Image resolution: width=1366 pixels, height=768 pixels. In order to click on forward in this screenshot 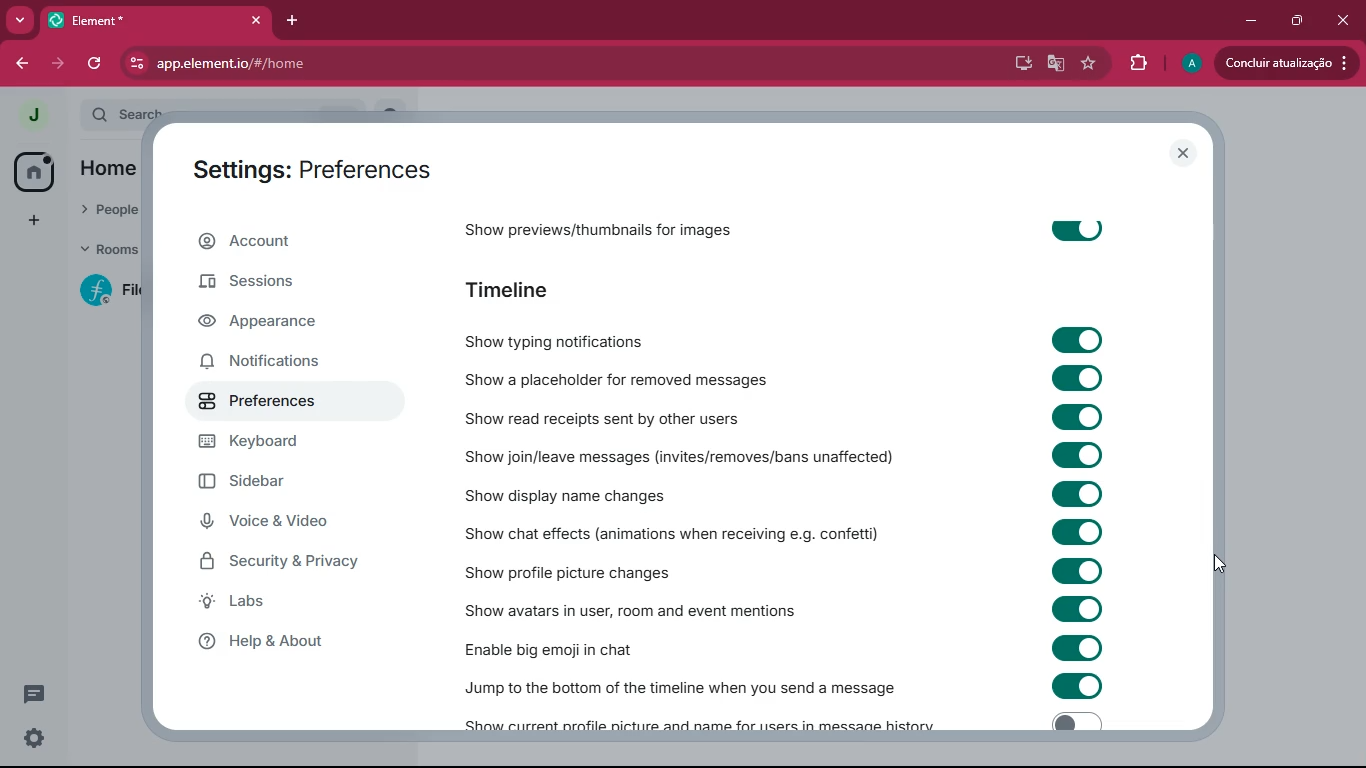, I will do `click(57, 63)`.